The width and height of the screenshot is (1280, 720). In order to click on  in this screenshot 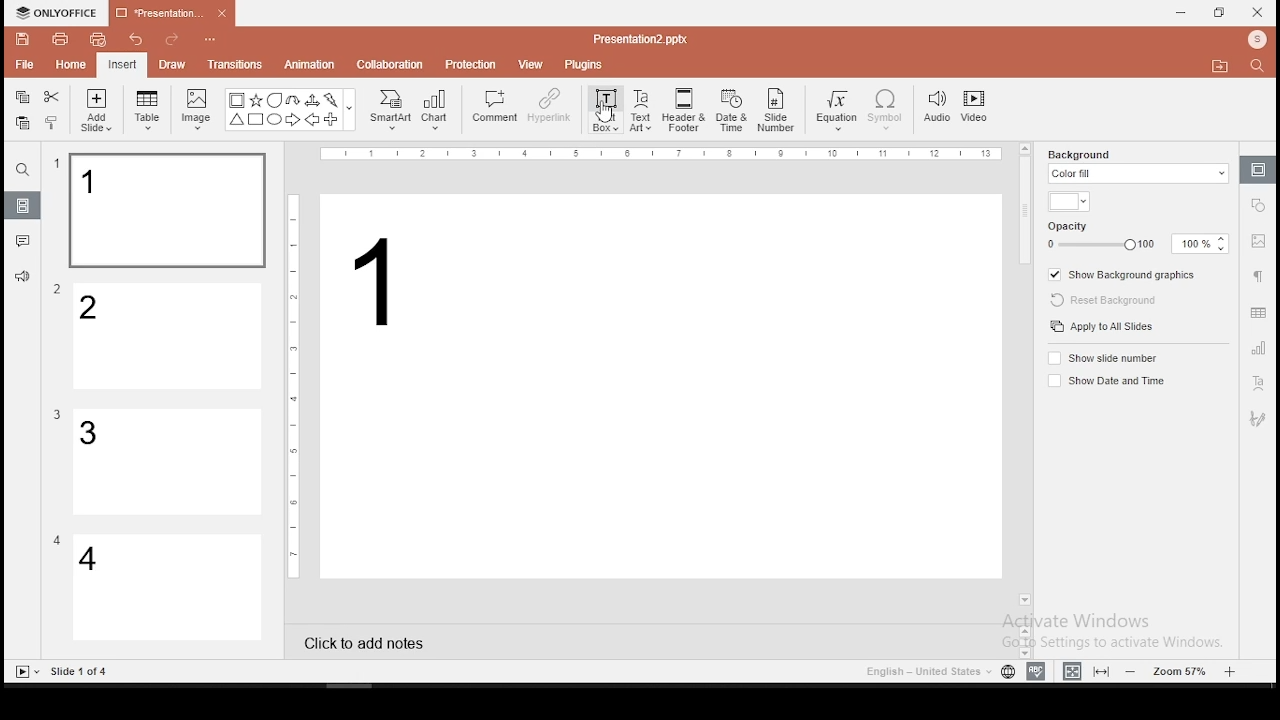, I will do `click(57, 164)`.